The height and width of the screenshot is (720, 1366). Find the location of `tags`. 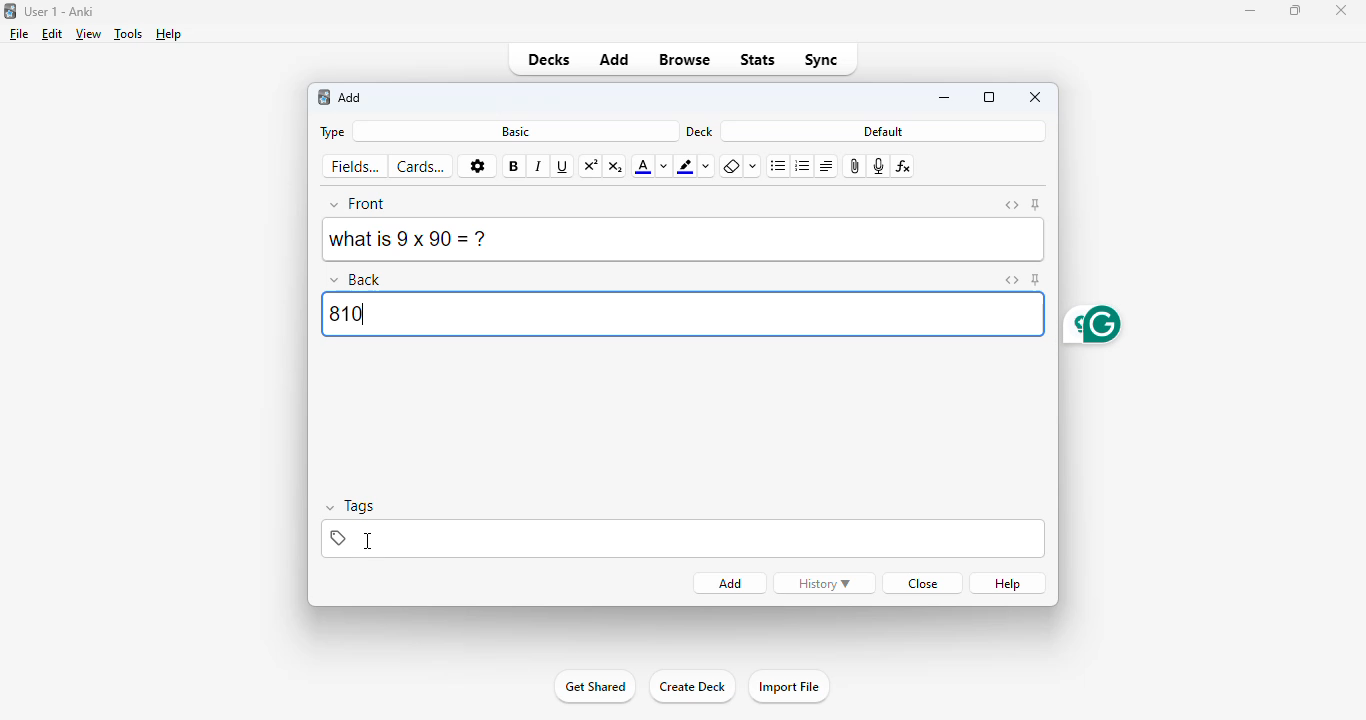

tags is located at coordinates (353, 507).